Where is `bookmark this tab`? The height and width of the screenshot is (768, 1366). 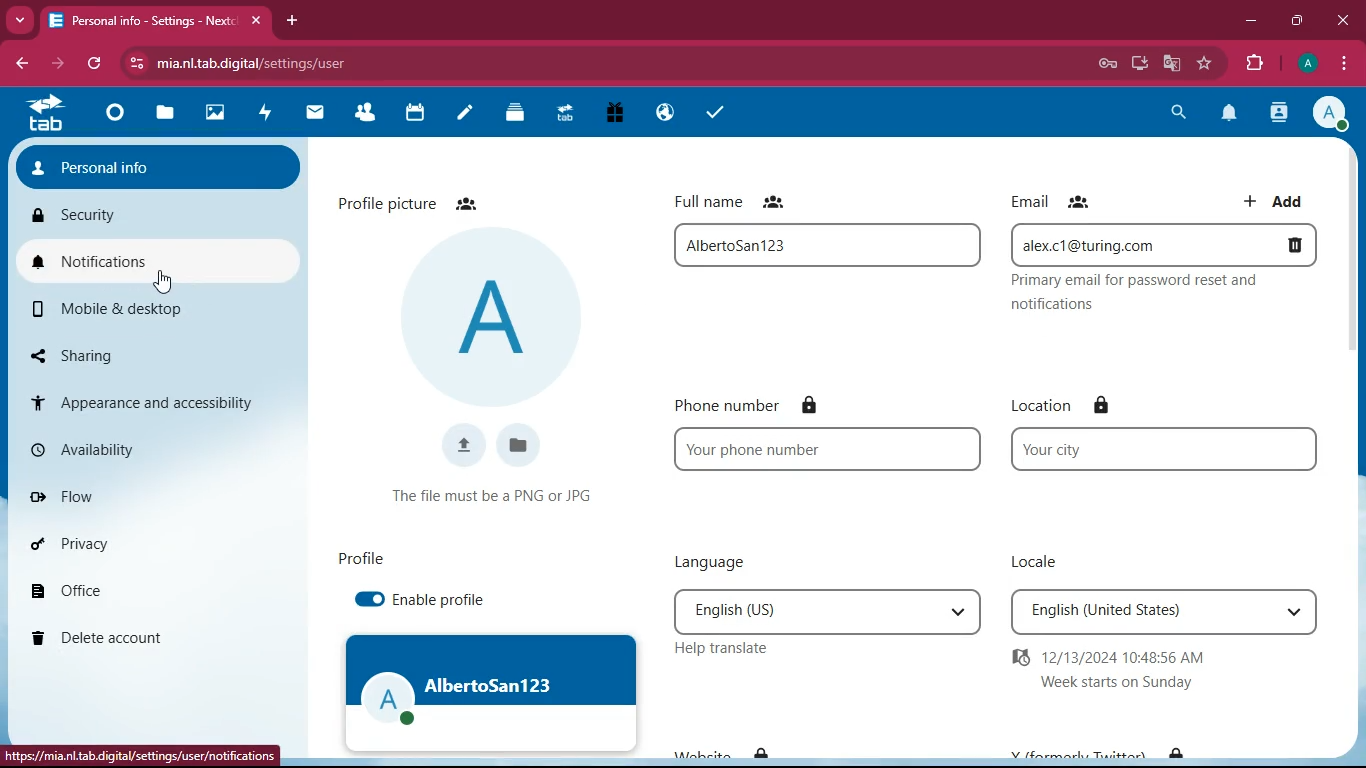
bookmark this tab is located at coordinates (1205, 61).